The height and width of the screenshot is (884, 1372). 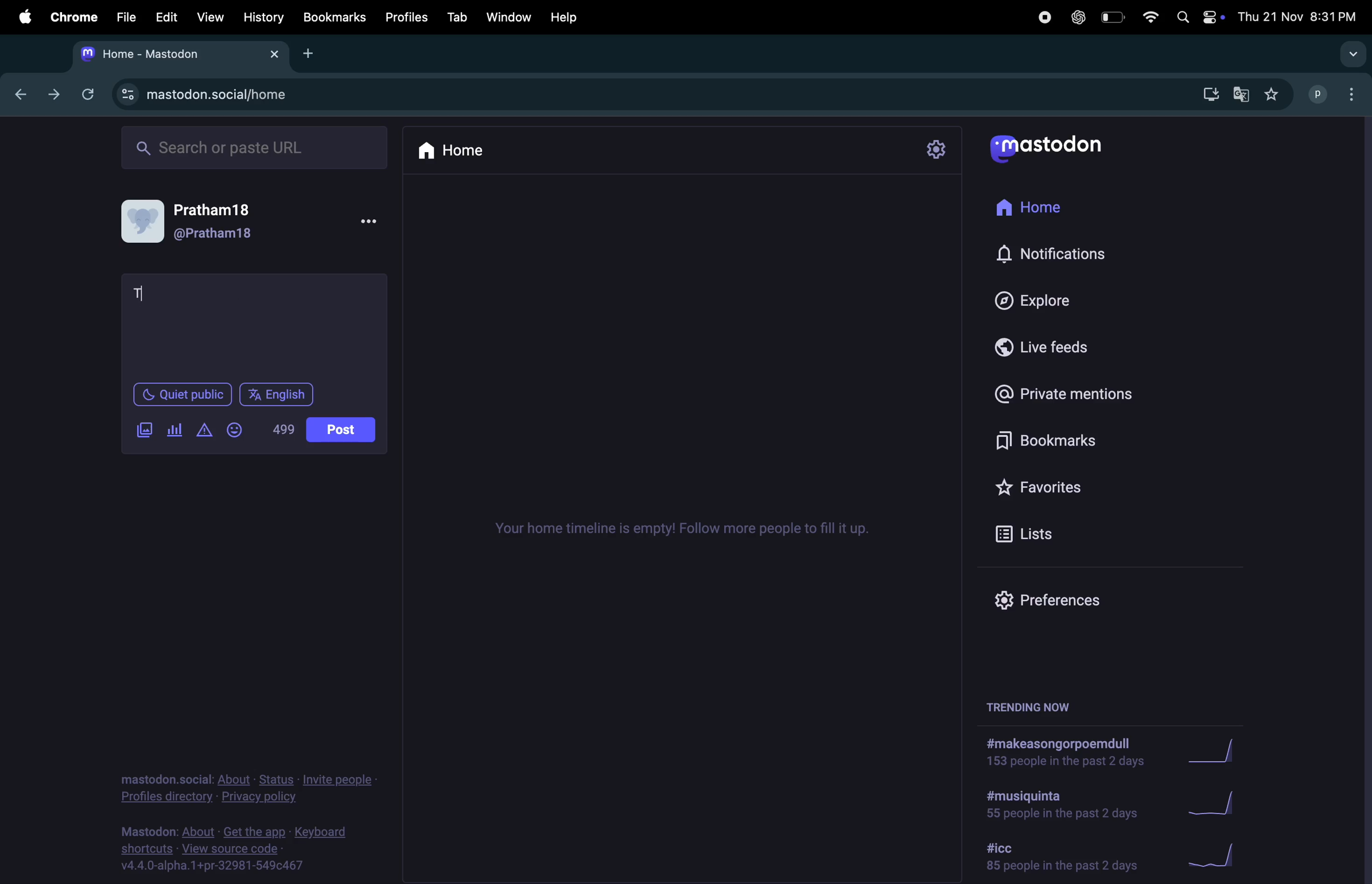 What do you see at coordinates (1152, 20) in the screenshot?
I see `wifi` at bounding box center [1152, 20].